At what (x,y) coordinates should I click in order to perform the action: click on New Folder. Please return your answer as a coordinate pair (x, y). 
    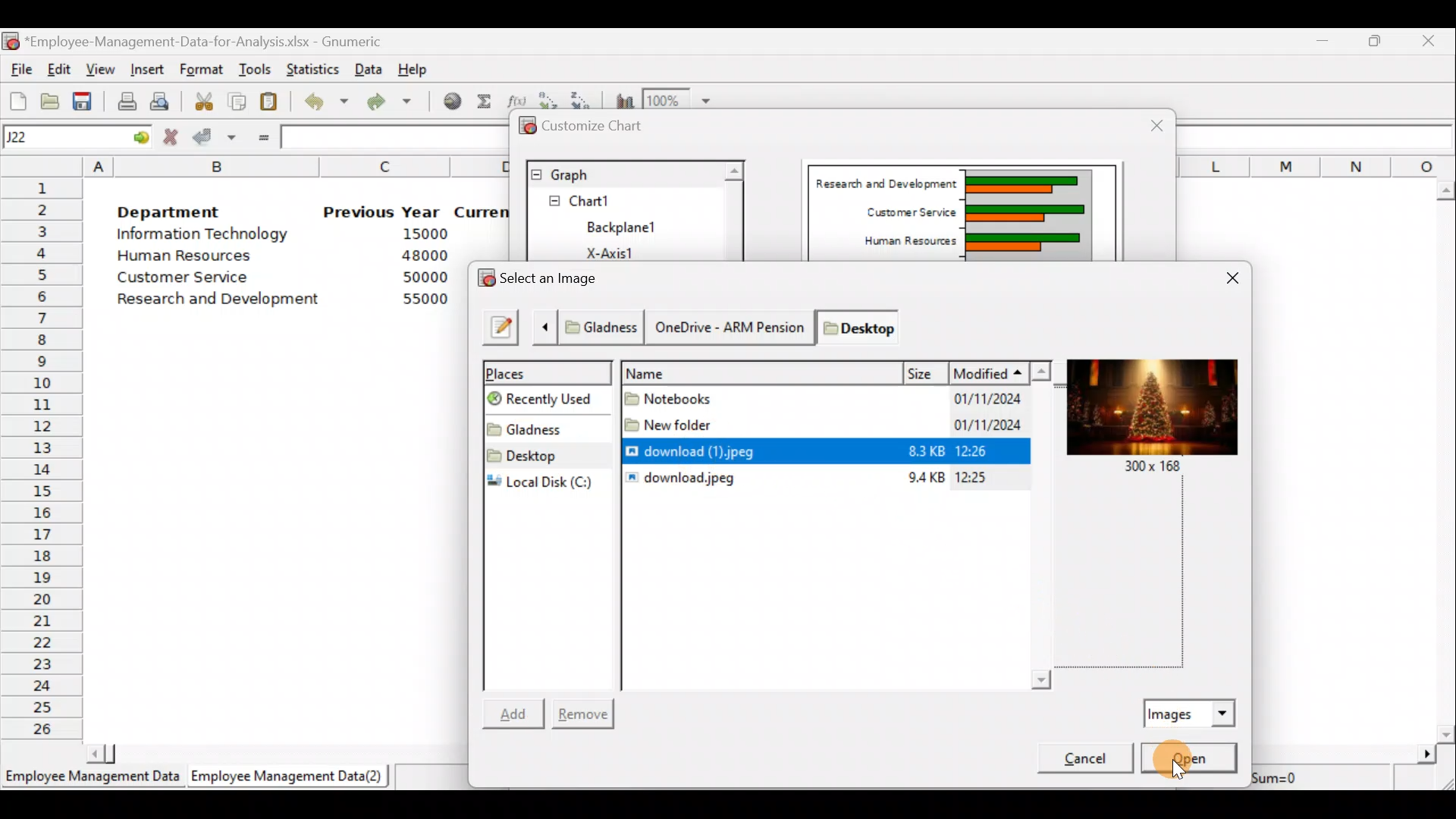
    Looking at the image, I should click on (670, 421).